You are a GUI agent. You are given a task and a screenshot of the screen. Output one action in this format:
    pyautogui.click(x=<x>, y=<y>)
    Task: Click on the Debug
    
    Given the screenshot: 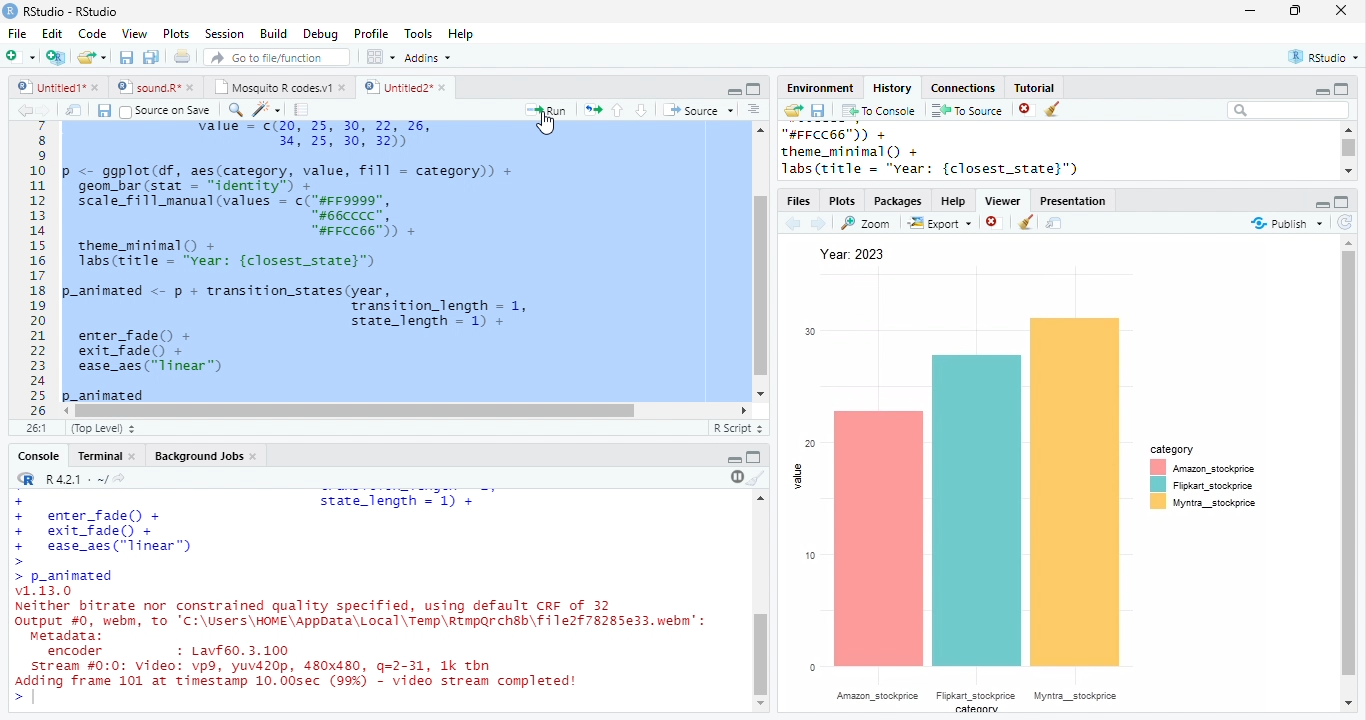 What is the action you would take?
    pyautogui.click(x=321, y=35)
    